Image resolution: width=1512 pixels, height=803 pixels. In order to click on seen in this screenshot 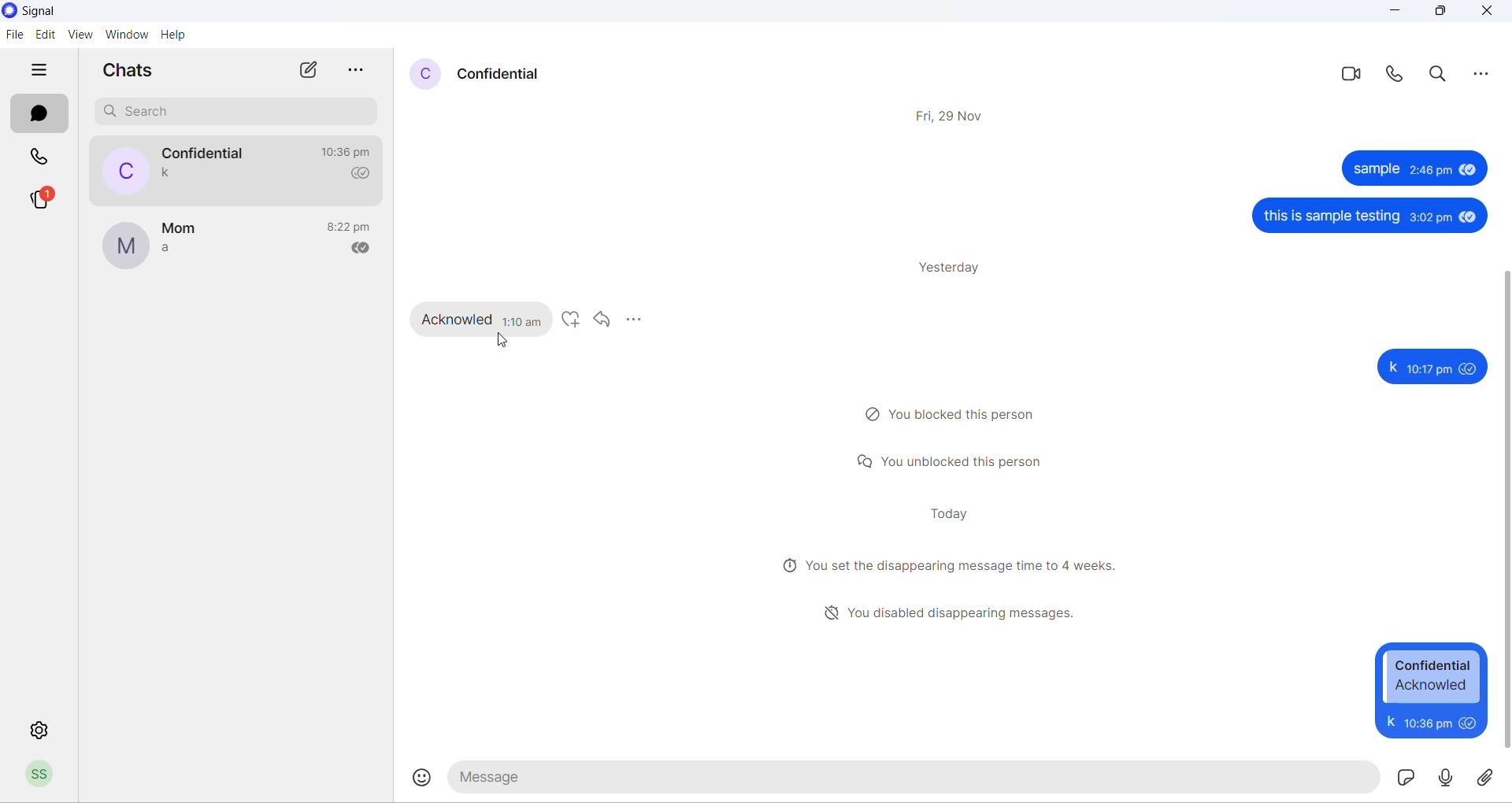, I will do `click(1469, 220)`.